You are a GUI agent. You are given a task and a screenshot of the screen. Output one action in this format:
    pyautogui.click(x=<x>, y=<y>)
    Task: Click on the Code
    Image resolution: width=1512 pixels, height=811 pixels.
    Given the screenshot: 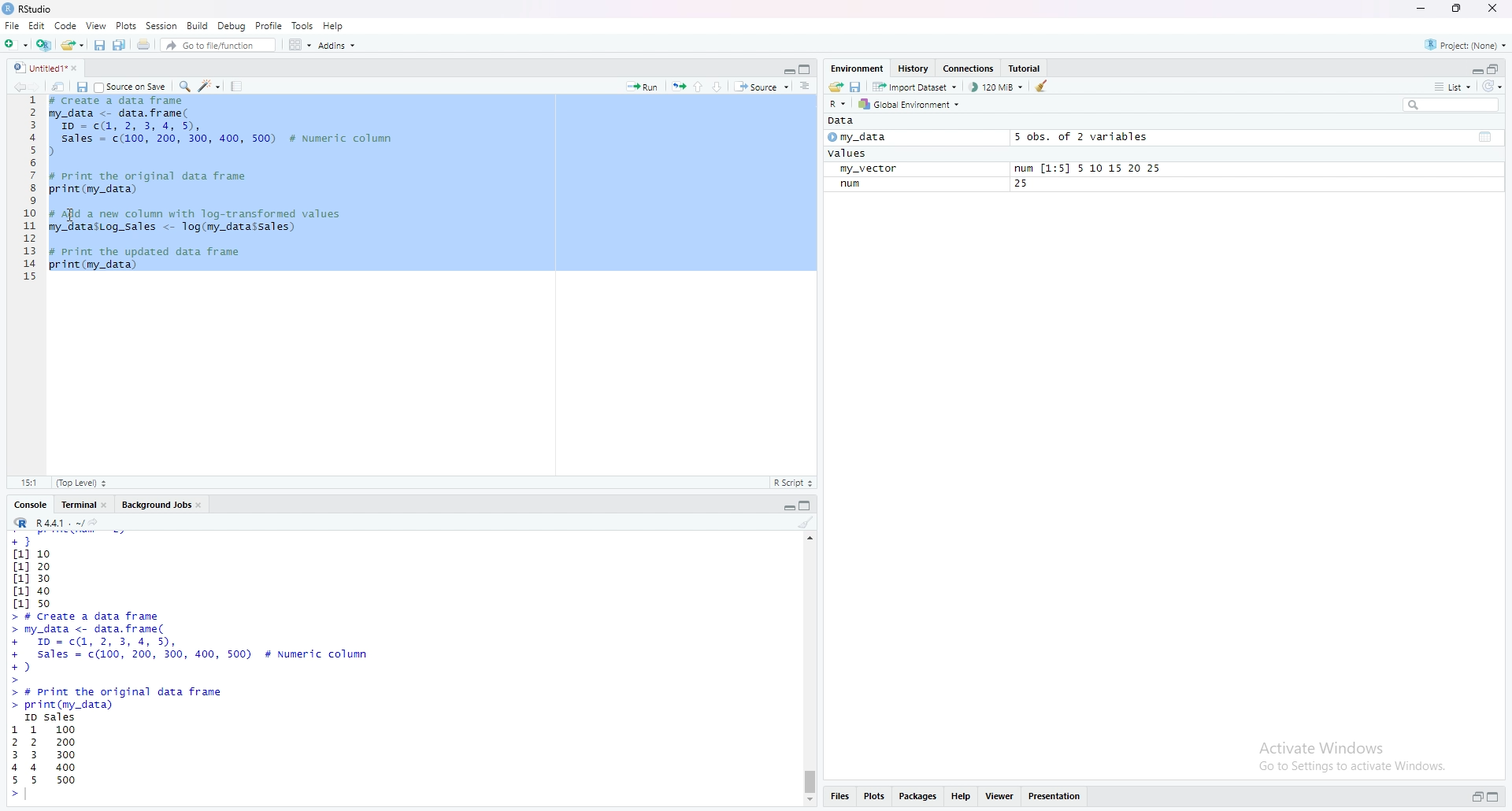 What is the action you would take?
    pyautogui.click(x=66, y=27)
    